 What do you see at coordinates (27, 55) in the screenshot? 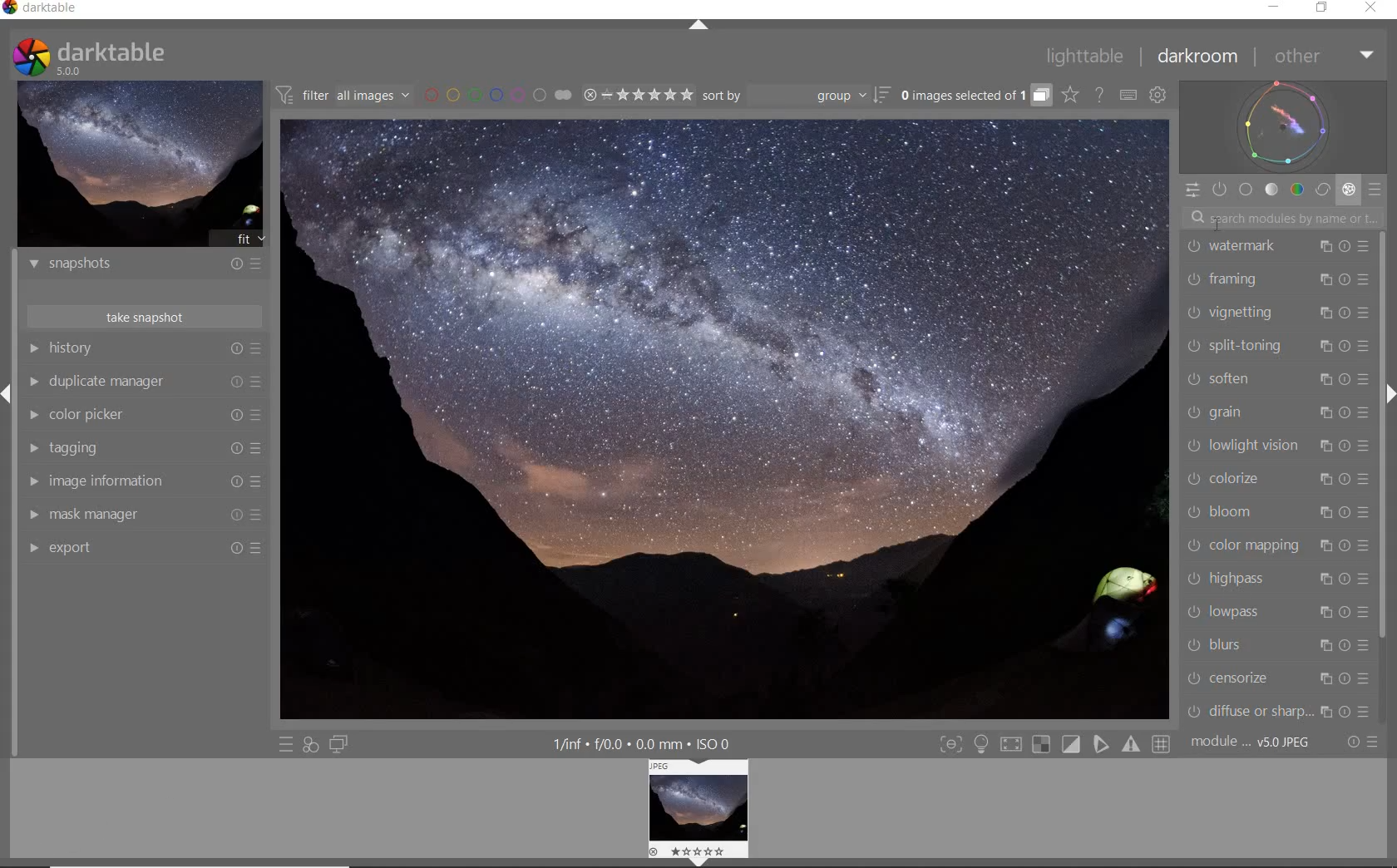
I see `darktable logo` at bounding box center [27, 55].